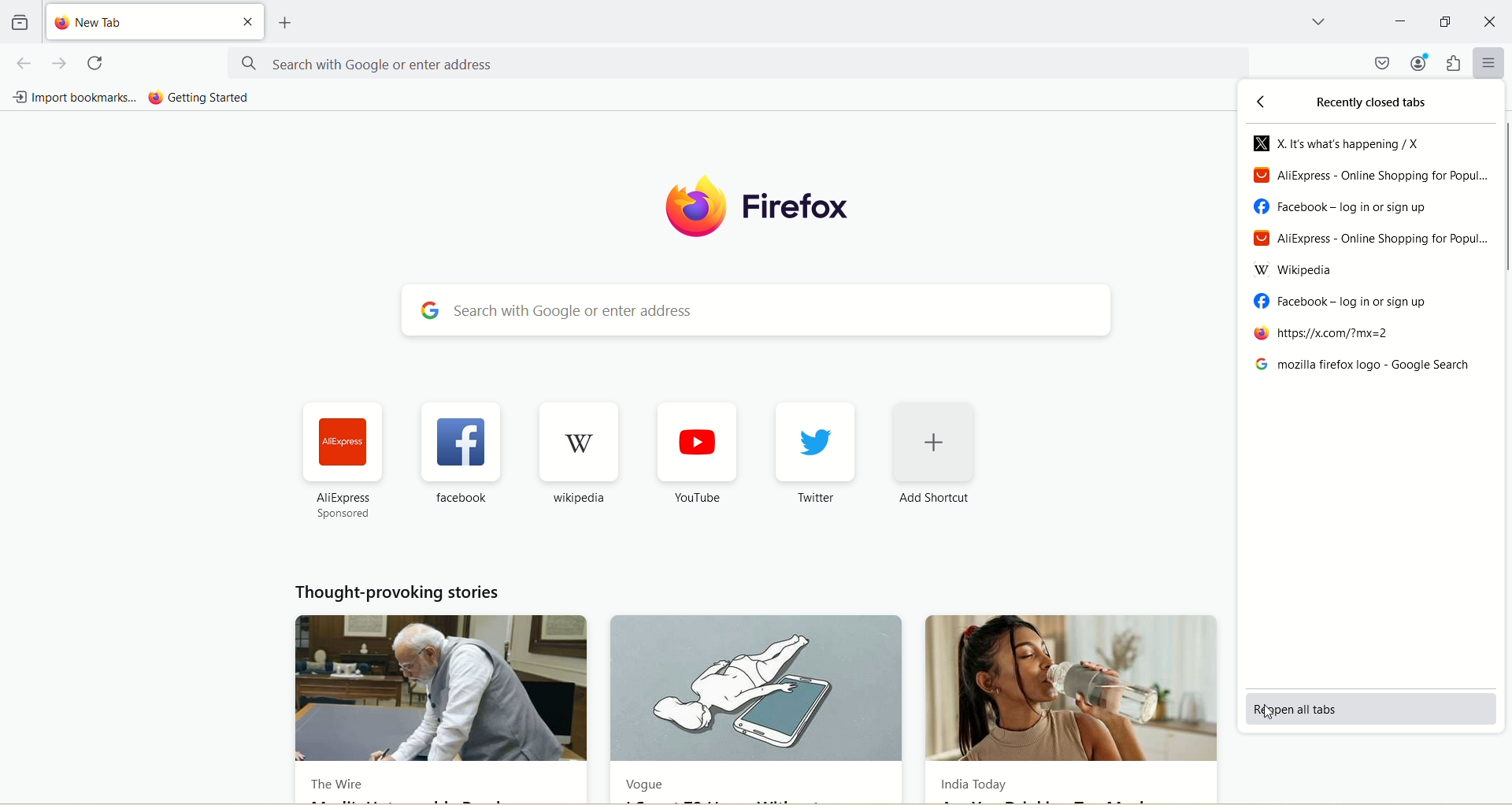 This screenshot has height=805, width=1512. What do you see at coordinates (25, 63) in the screenshot?
I see `go back one page` at bounding box center [25, 63].